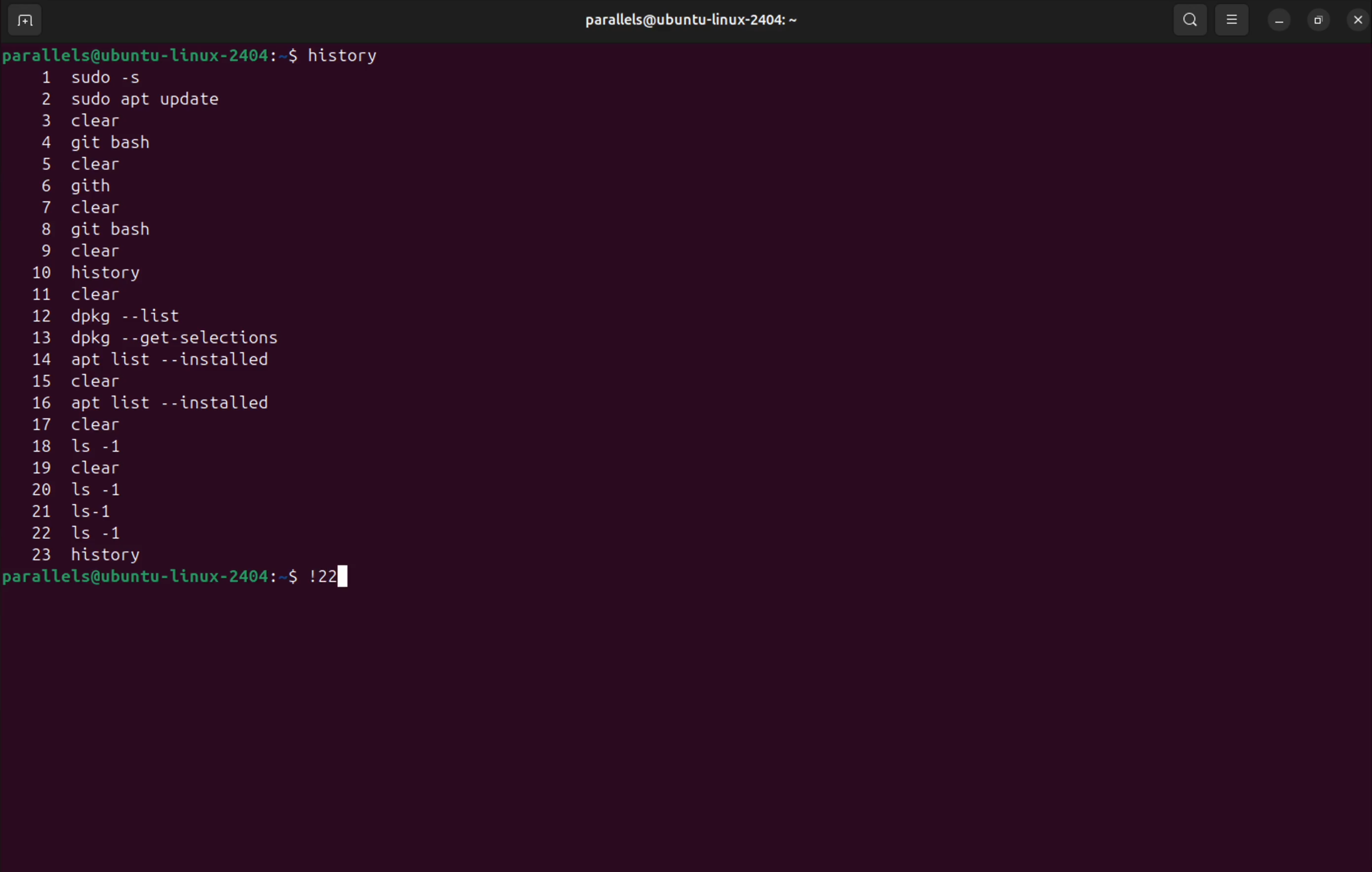  I want to click on 14 apt list installed, so click(165, 360).